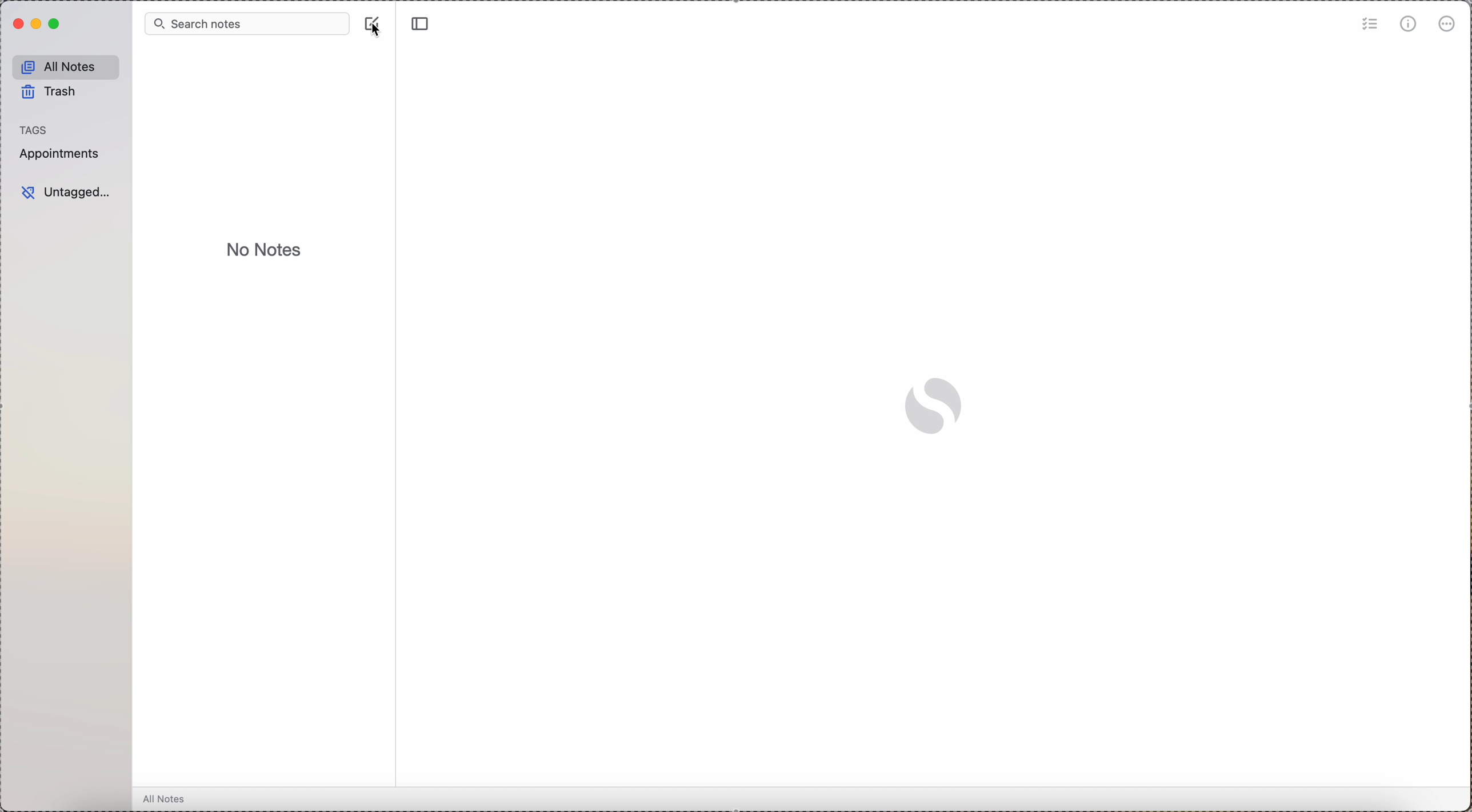 The image size is (1472, 812). Describe the element at coordinates (263, 251) in the screenshot. I see `no notes` at that location.